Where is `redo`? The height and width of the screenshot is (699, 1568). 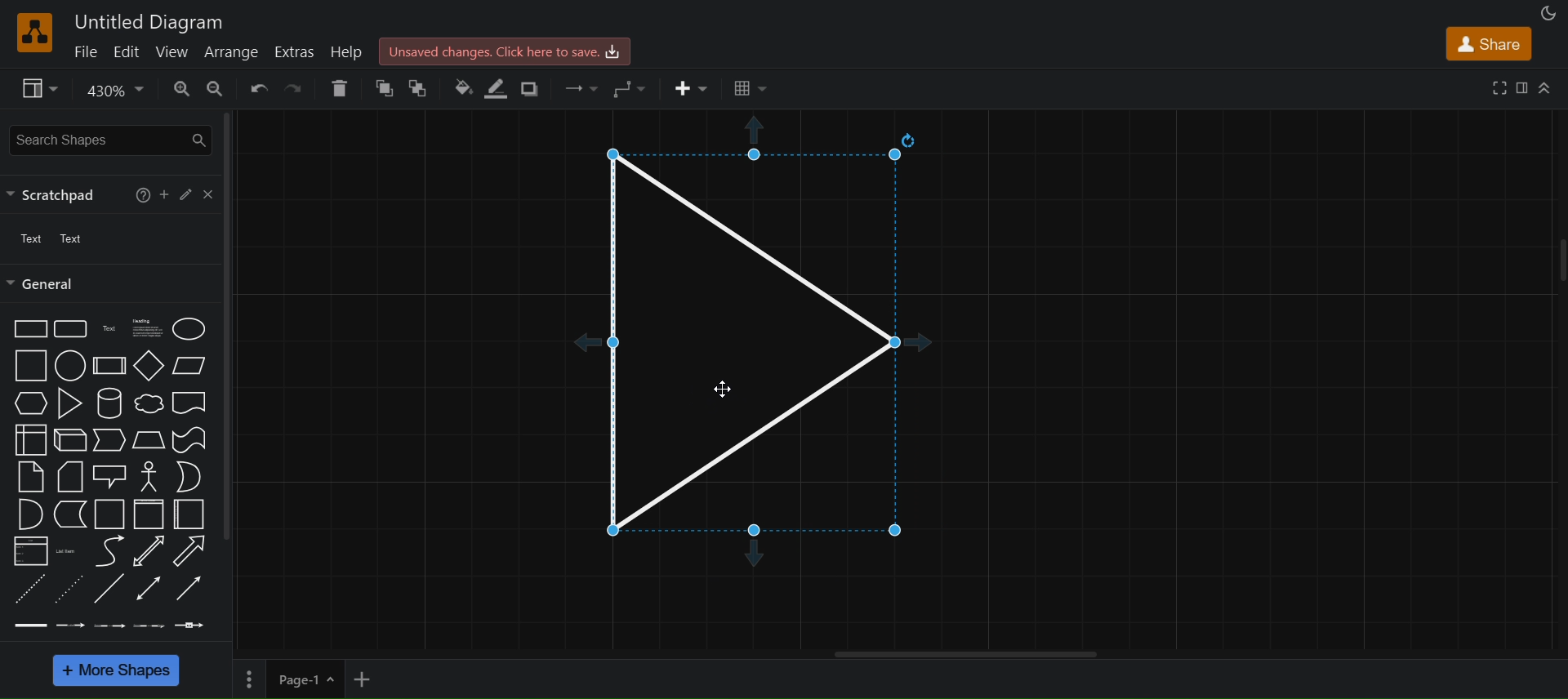
redo is located at coordinates (294, 88).